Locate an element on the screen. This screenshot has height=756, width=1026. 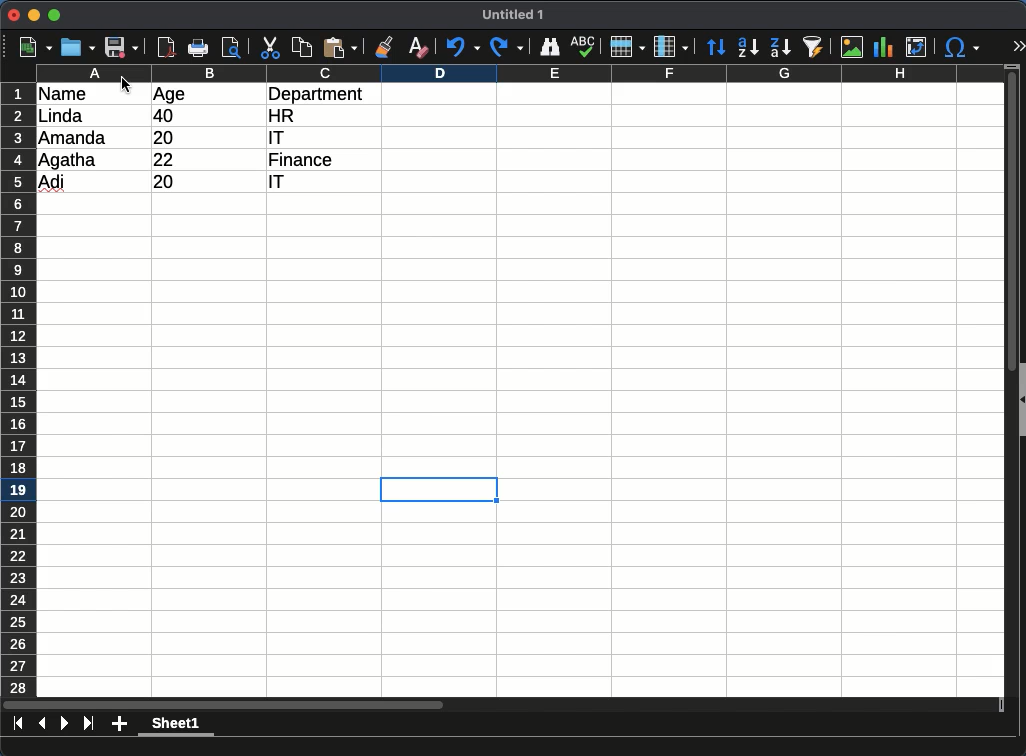
finance  is located at coordinates (303, 160).